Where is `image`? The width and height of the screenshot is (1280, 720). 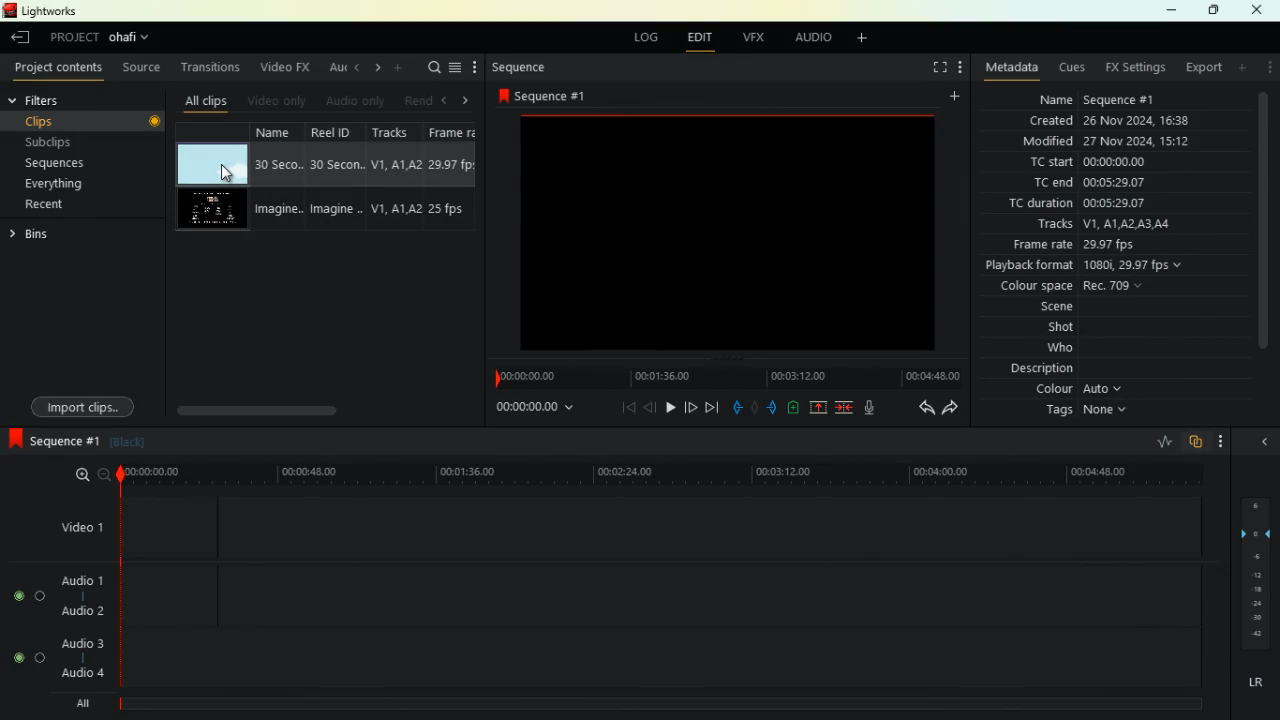 image is located at coordinates (719, 233).